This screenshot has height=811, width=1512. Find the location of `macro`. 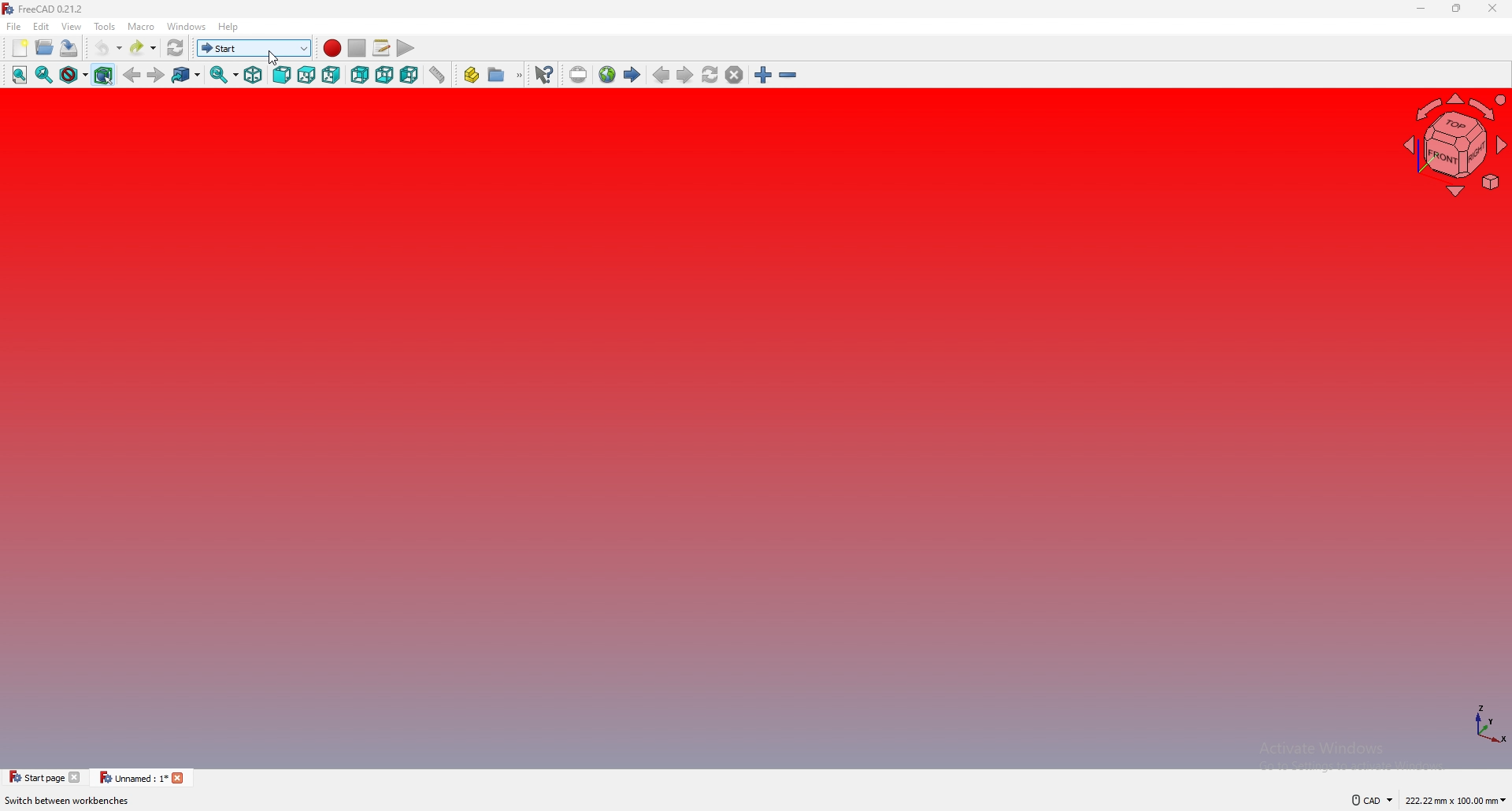

macro is located at coordinates (142, 26).